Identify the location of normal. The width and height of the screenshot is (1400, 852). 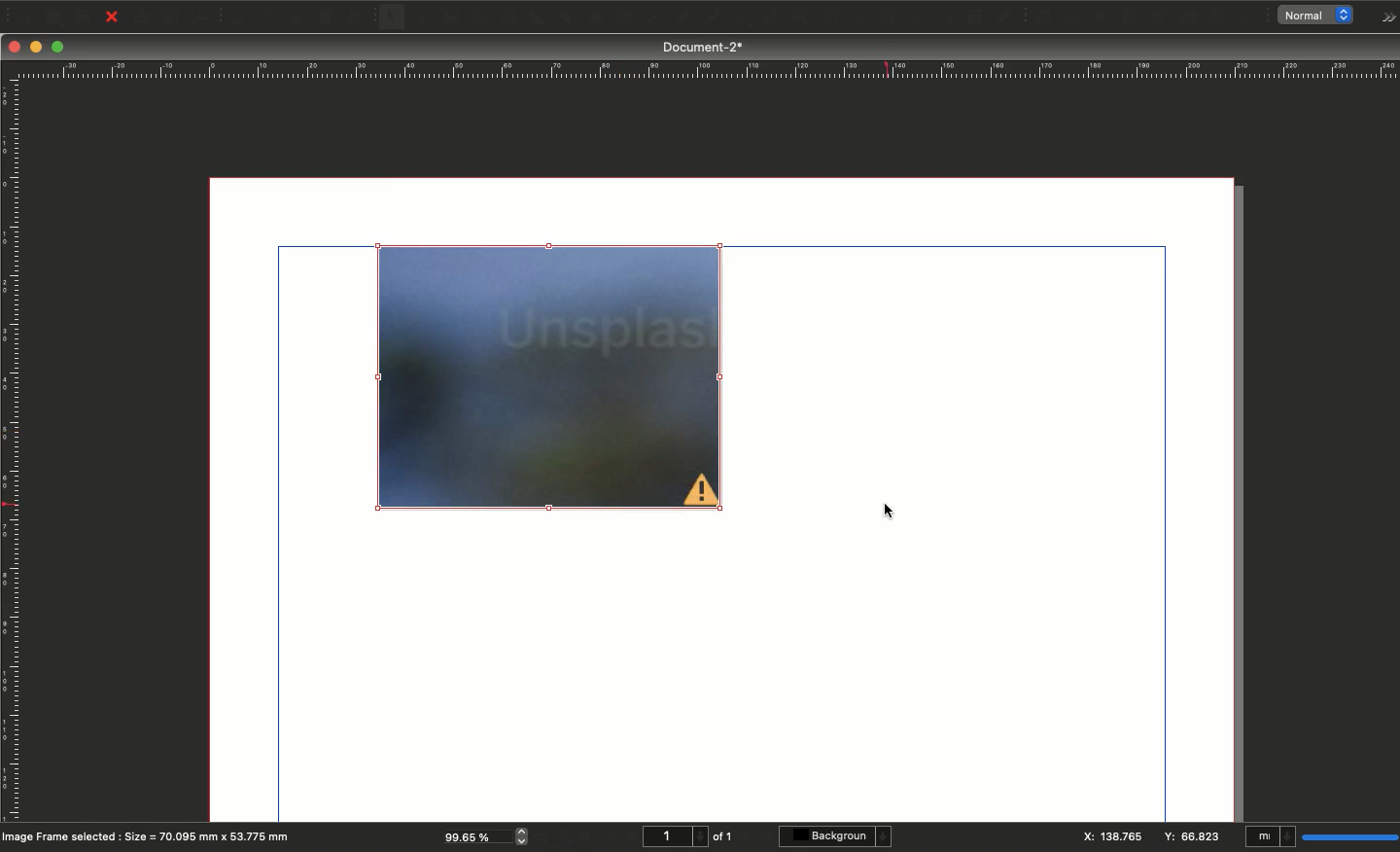
(1320, 16).